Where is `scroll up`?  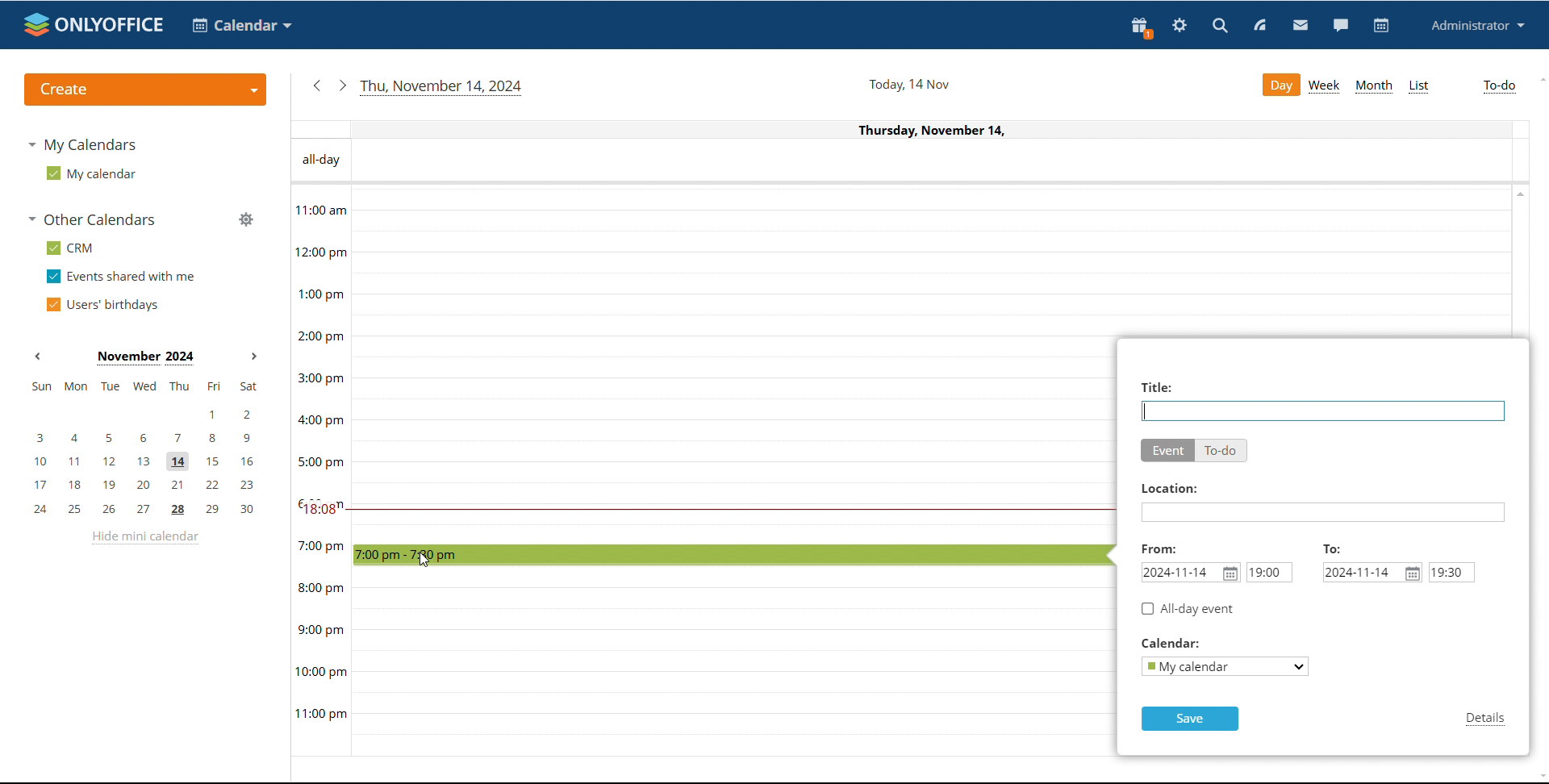 scroll up is located at coordinates (1539, 81).